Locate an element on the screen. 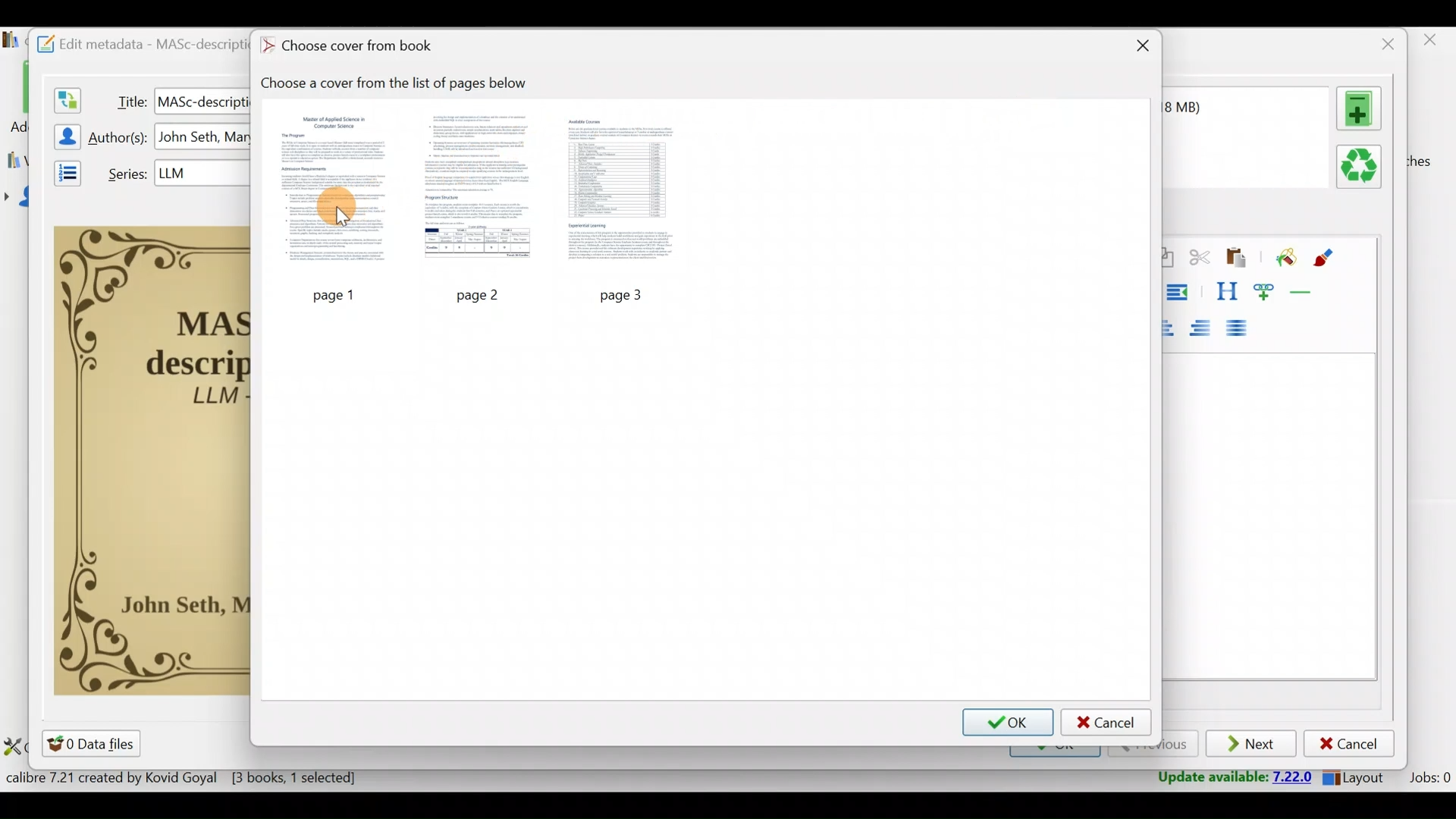  Align right is located at coordinates (1205, 329).